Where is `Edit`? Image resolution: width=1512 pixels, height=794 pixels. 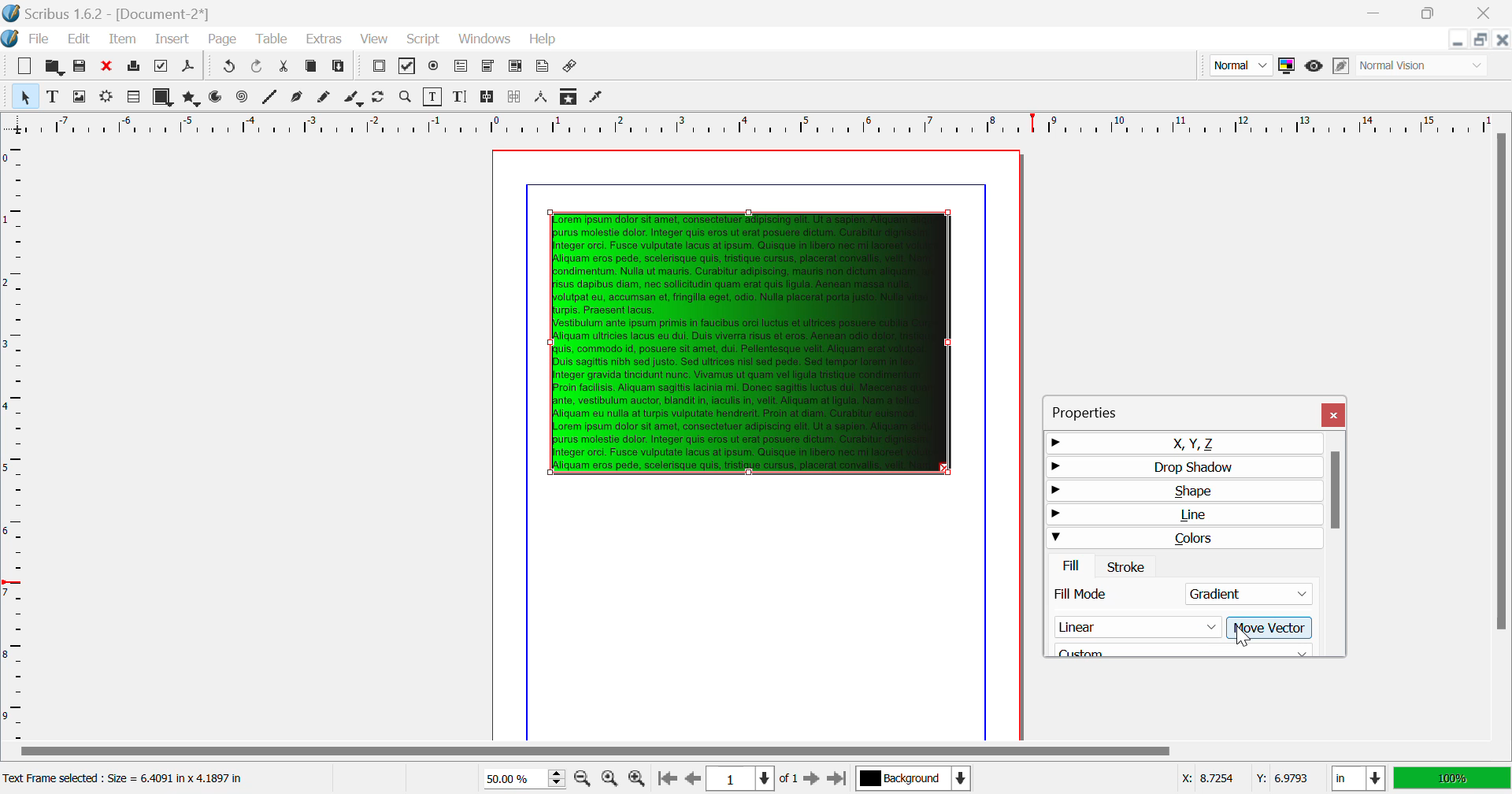 Edit is located at coordinates (76, 39).